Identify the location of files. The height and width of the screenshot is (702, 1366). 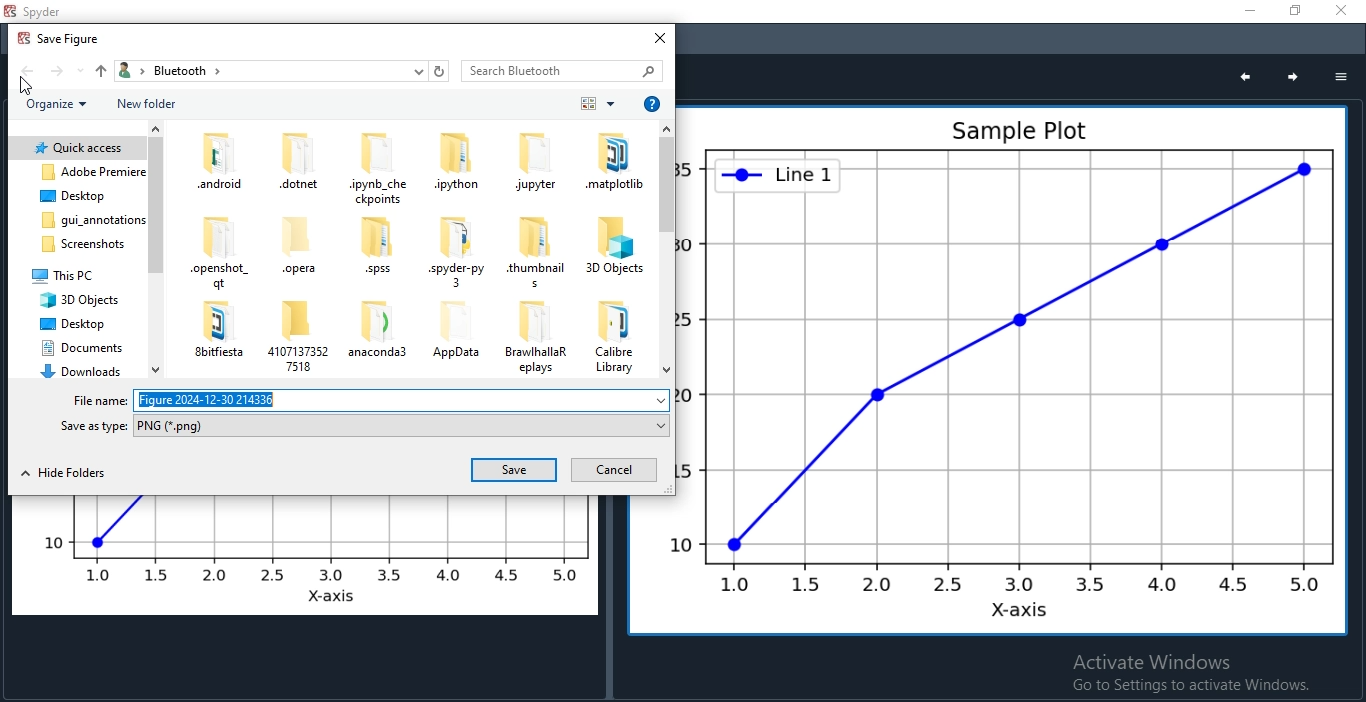
(536, 337).